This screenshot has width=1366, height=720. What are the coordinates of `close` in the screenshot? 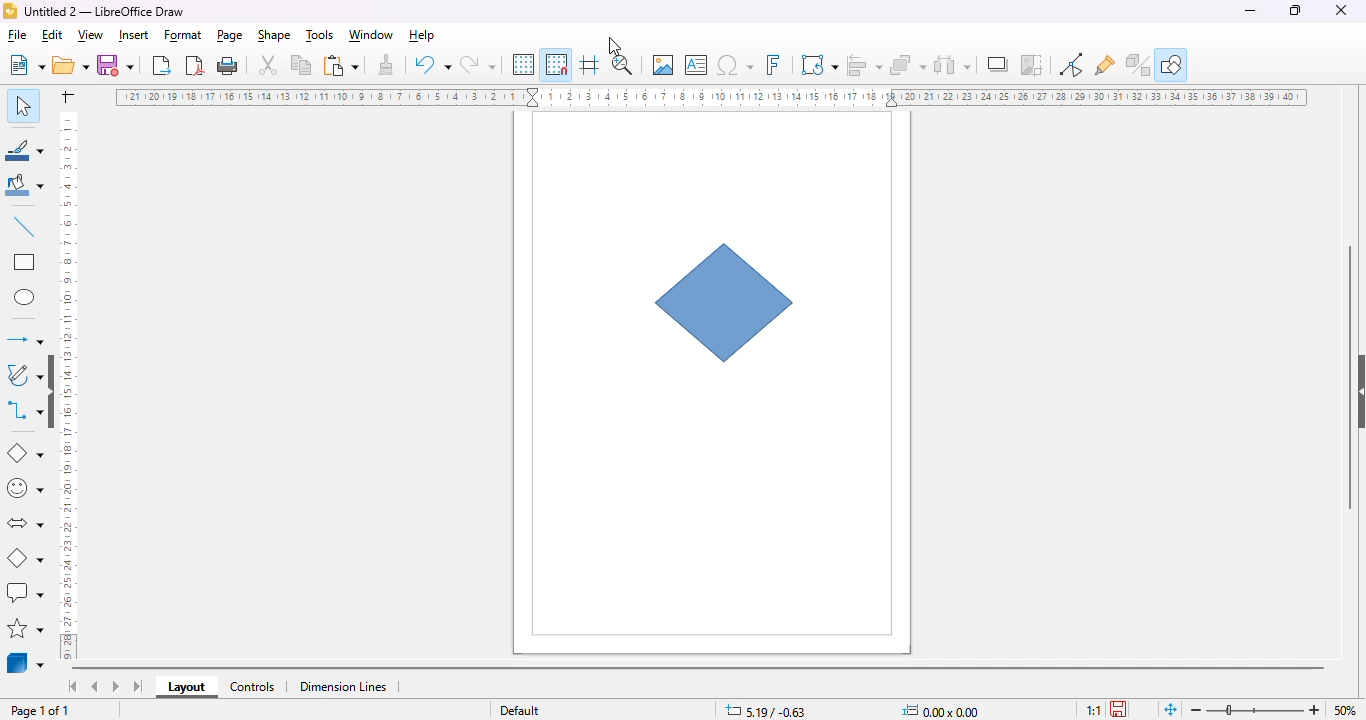 It's located at (1341, 10).